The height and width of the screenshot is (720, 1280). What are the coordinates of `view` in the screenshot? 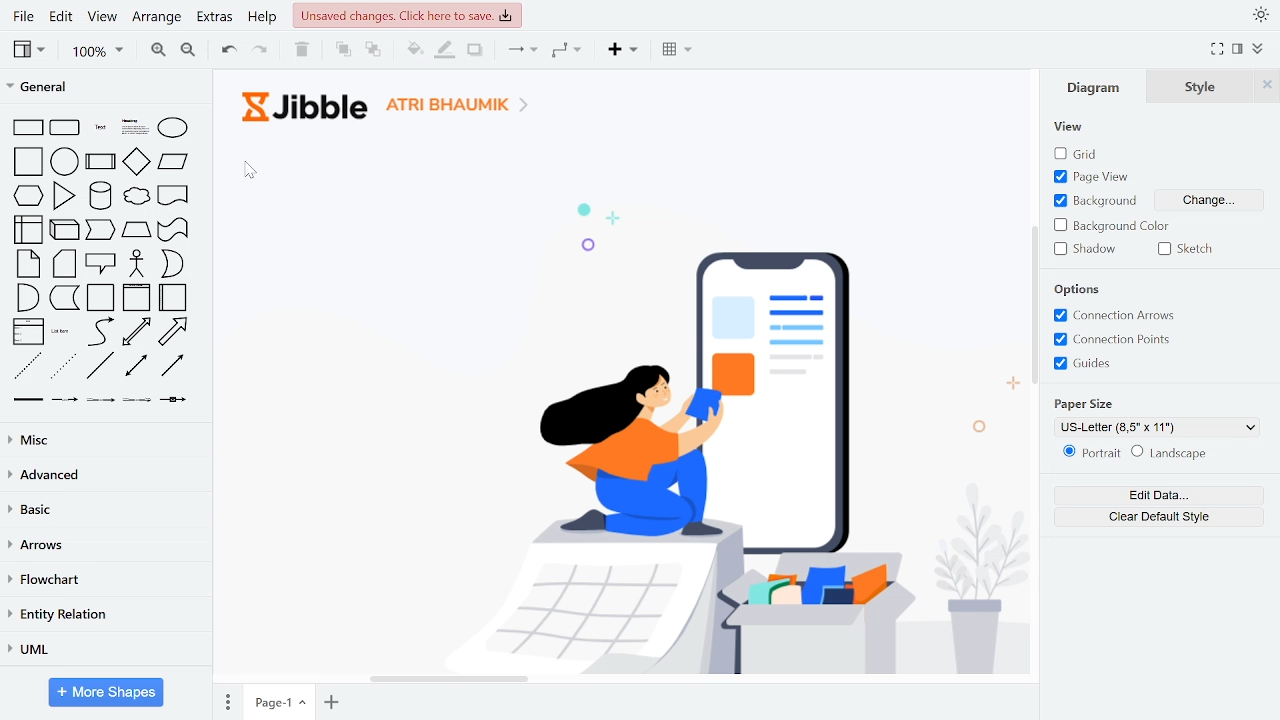 It's located at (28, 50).